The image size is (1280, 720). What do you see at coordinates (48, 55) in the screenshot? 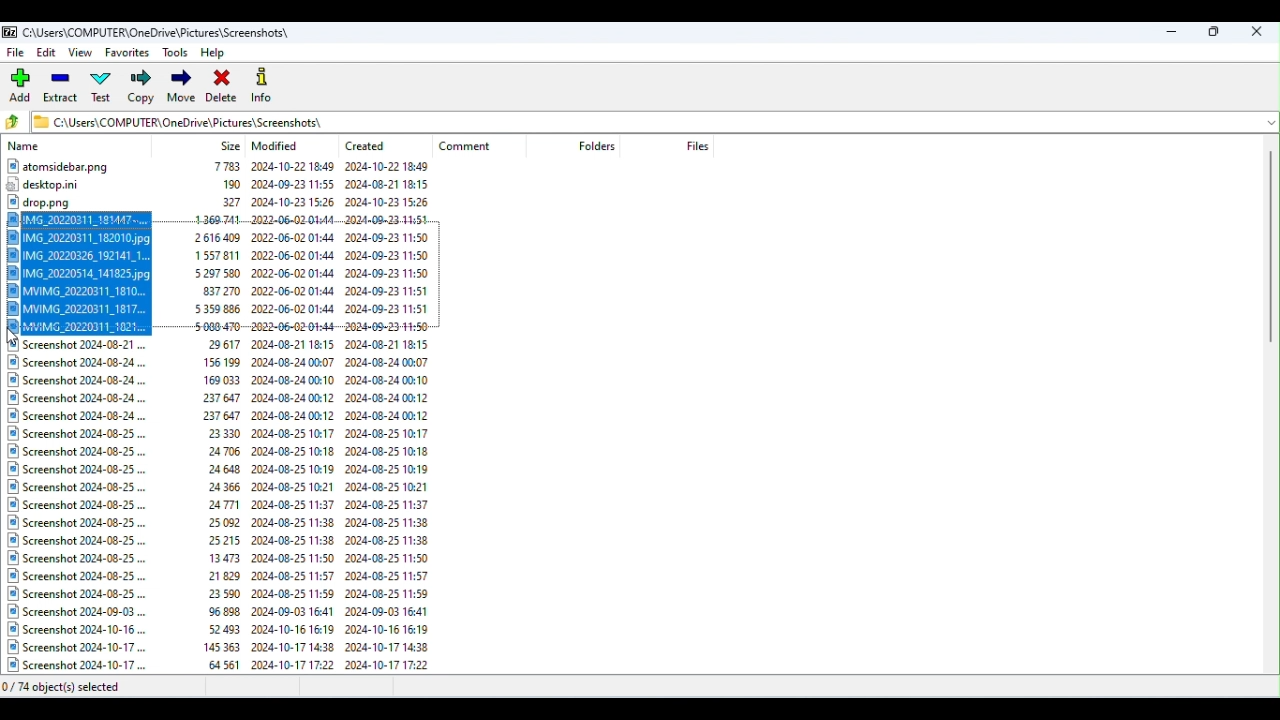
I see `Edit` at bounding box center [48, 55].